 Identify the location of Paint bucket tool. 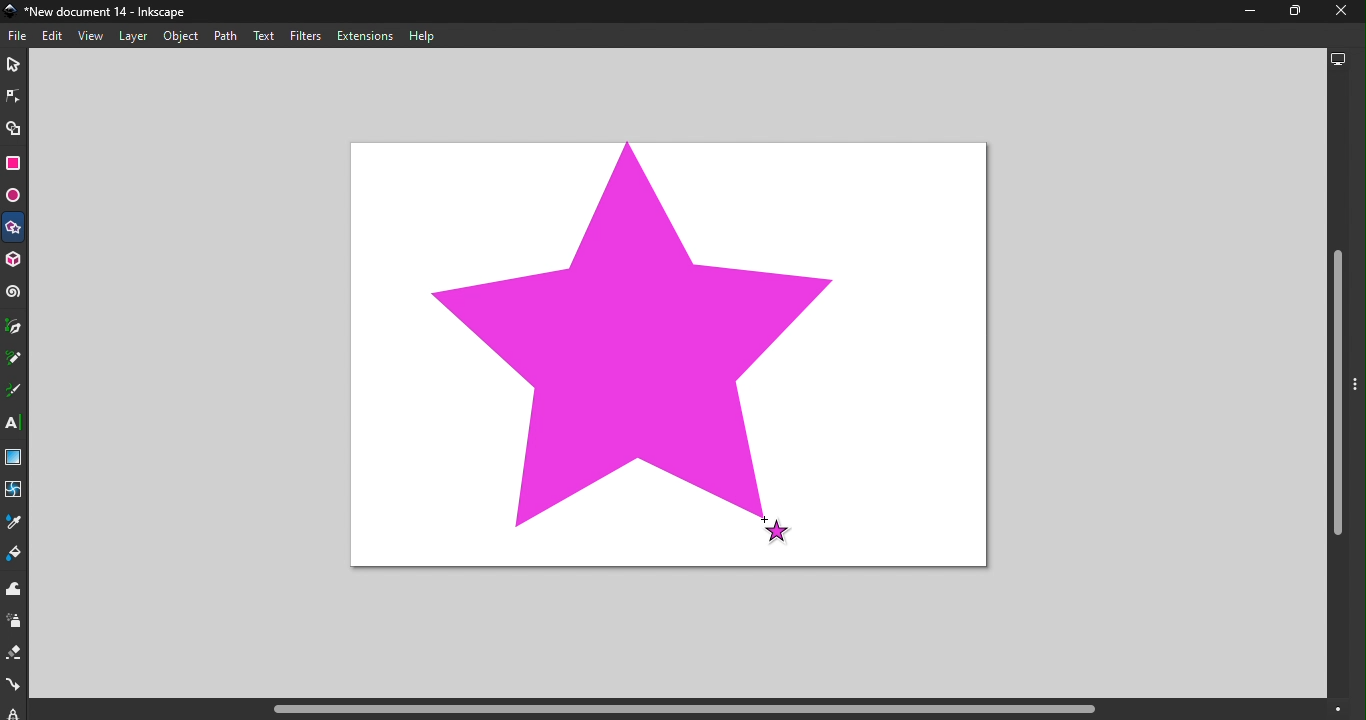
(15, 557).